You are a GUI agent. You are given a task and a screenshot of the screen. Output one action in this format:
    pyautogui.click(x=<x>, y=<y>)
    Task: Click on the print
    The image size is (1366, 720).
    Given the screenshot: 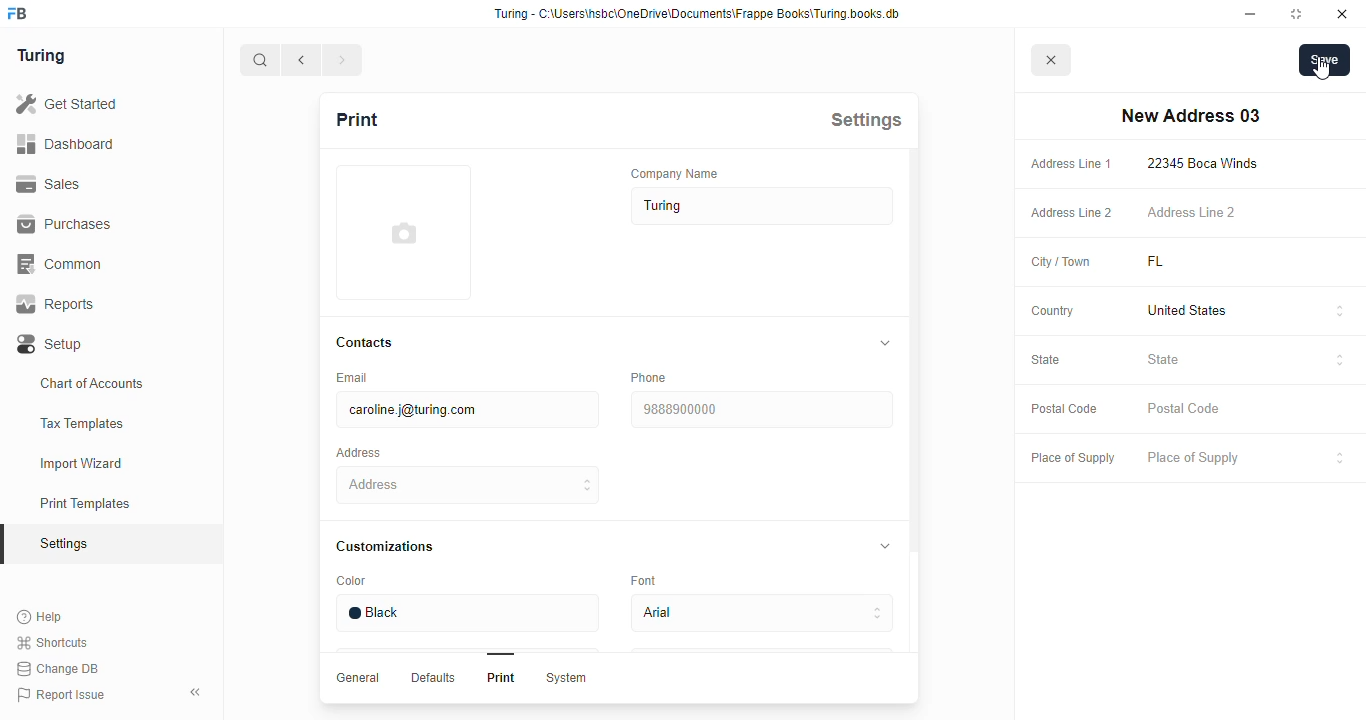 What is the action you would take?
    pyautogui.click(x=356, y=119)
    